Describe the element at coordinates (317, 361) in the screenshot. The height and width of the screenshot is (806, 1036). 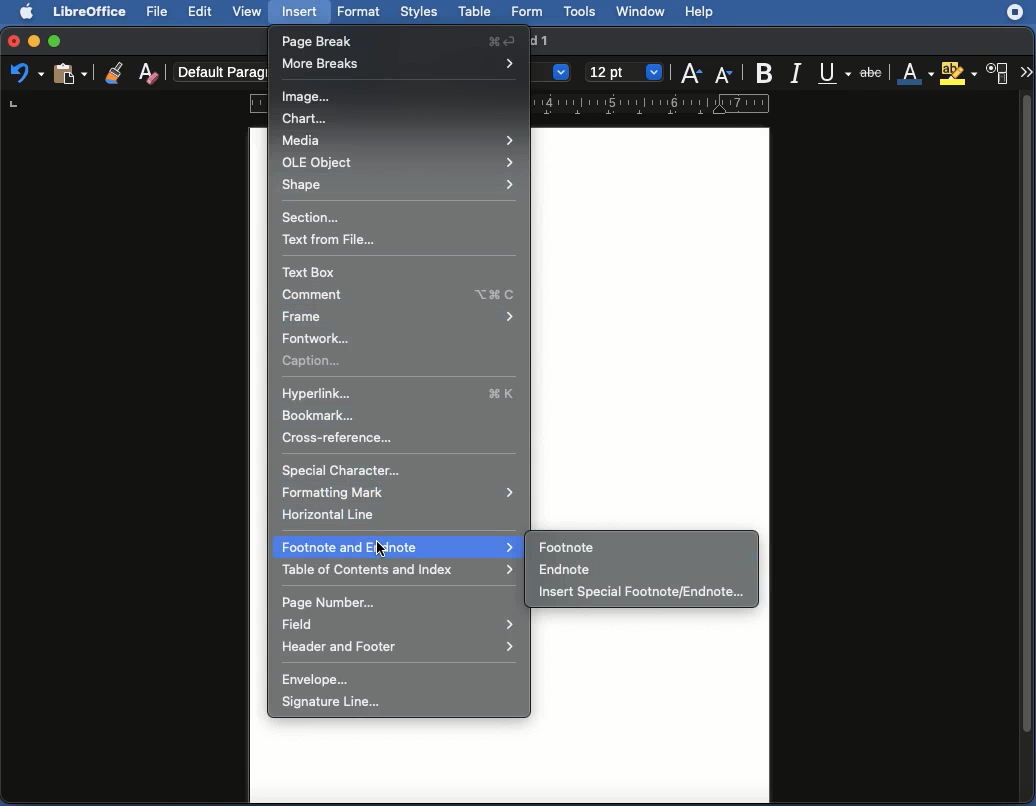
I see `Caption` at that location.